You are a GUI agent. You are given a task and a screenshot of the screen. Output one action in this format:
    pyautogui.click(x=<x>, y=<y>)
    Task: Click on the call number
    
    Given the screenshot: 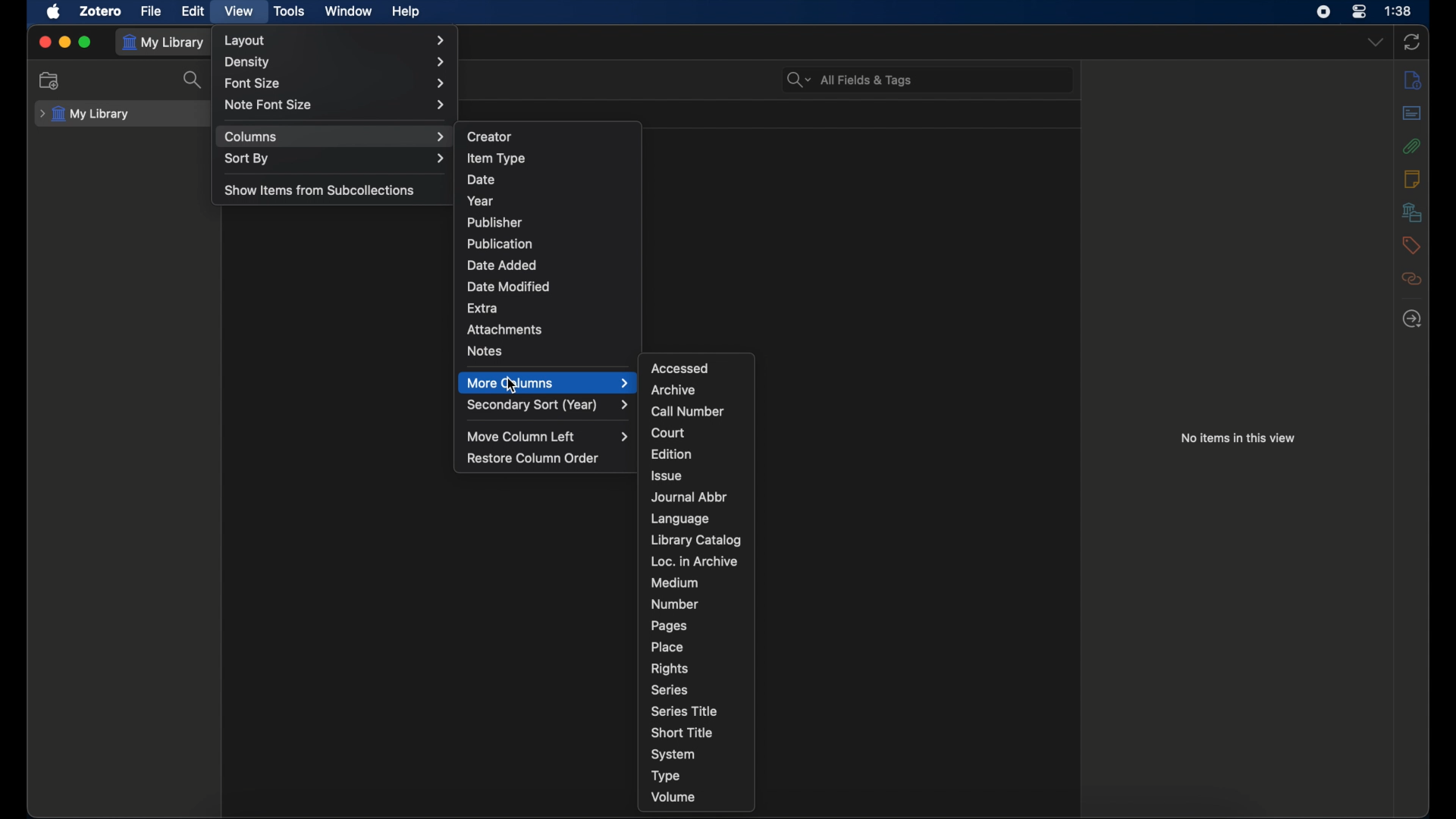 What is the action you would take?
    pyautogui.click(x=687, y=412)
    